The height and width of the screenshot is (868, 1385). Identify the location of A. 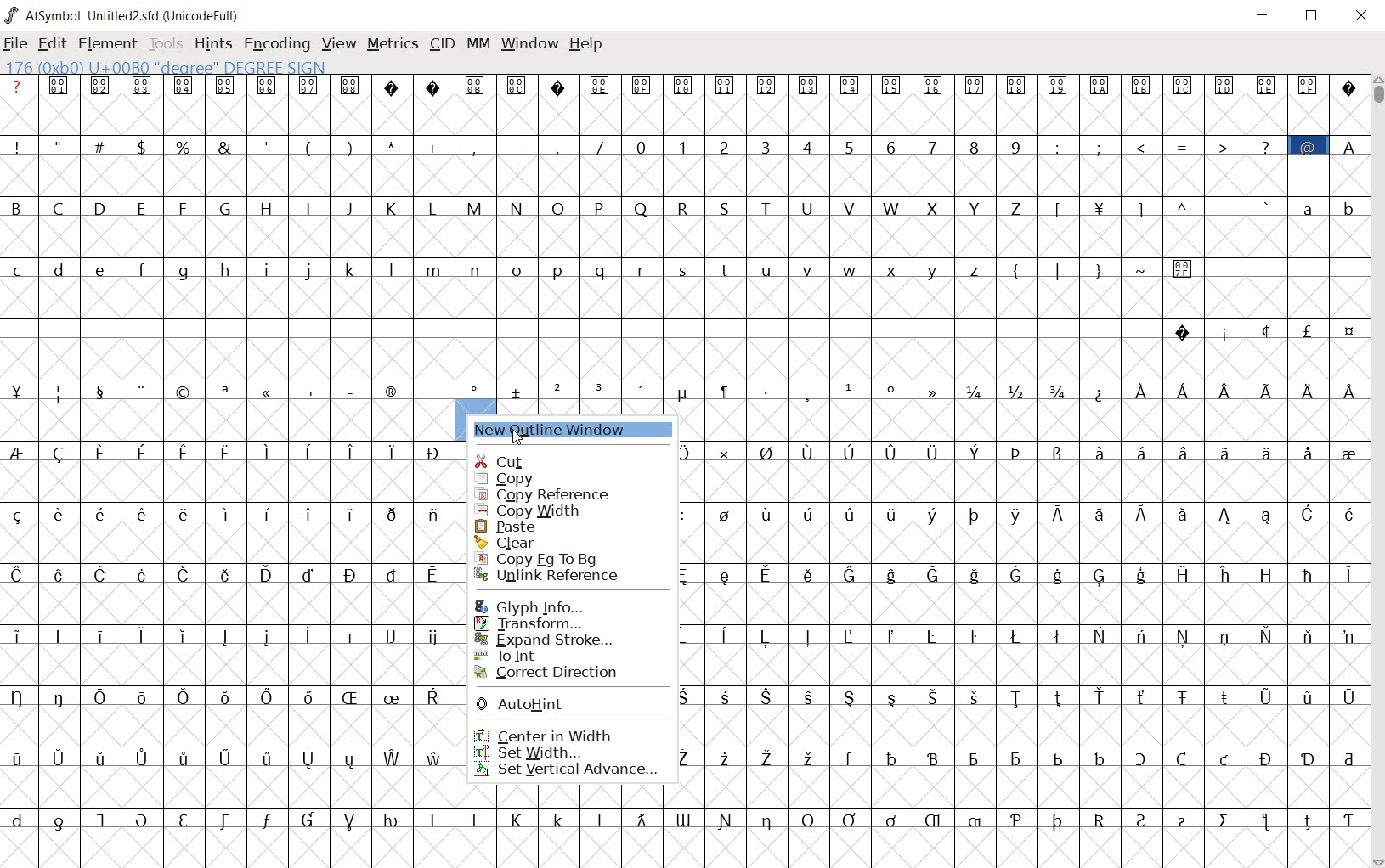
(1348, 144).